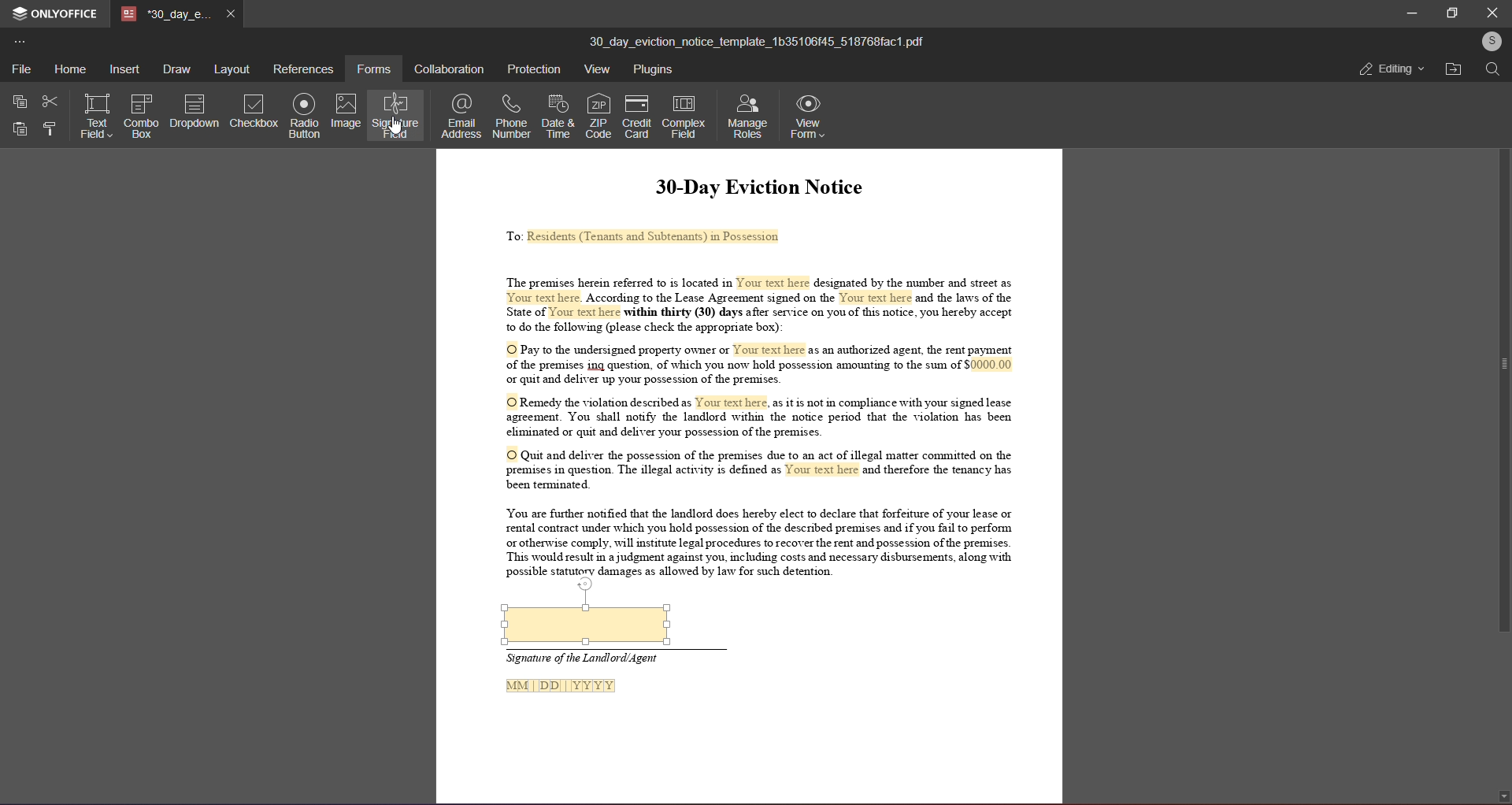  Describe the element at coordinates (50, 101) in the screenshot. I see `cut` at that location.